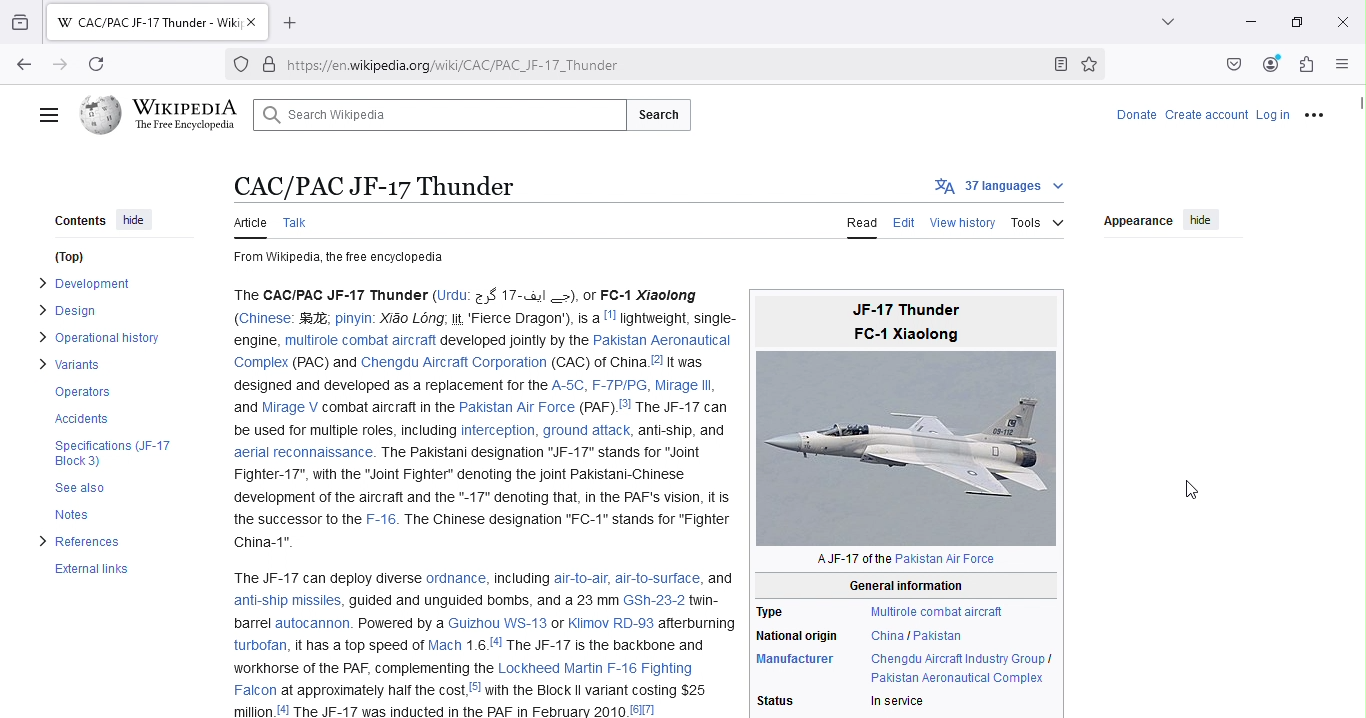 Image resolution: width=1366 pixels, height=718 pixels. Describe the element at coordinates (1205, 222) in the screenshot. I see `hide` at that location.